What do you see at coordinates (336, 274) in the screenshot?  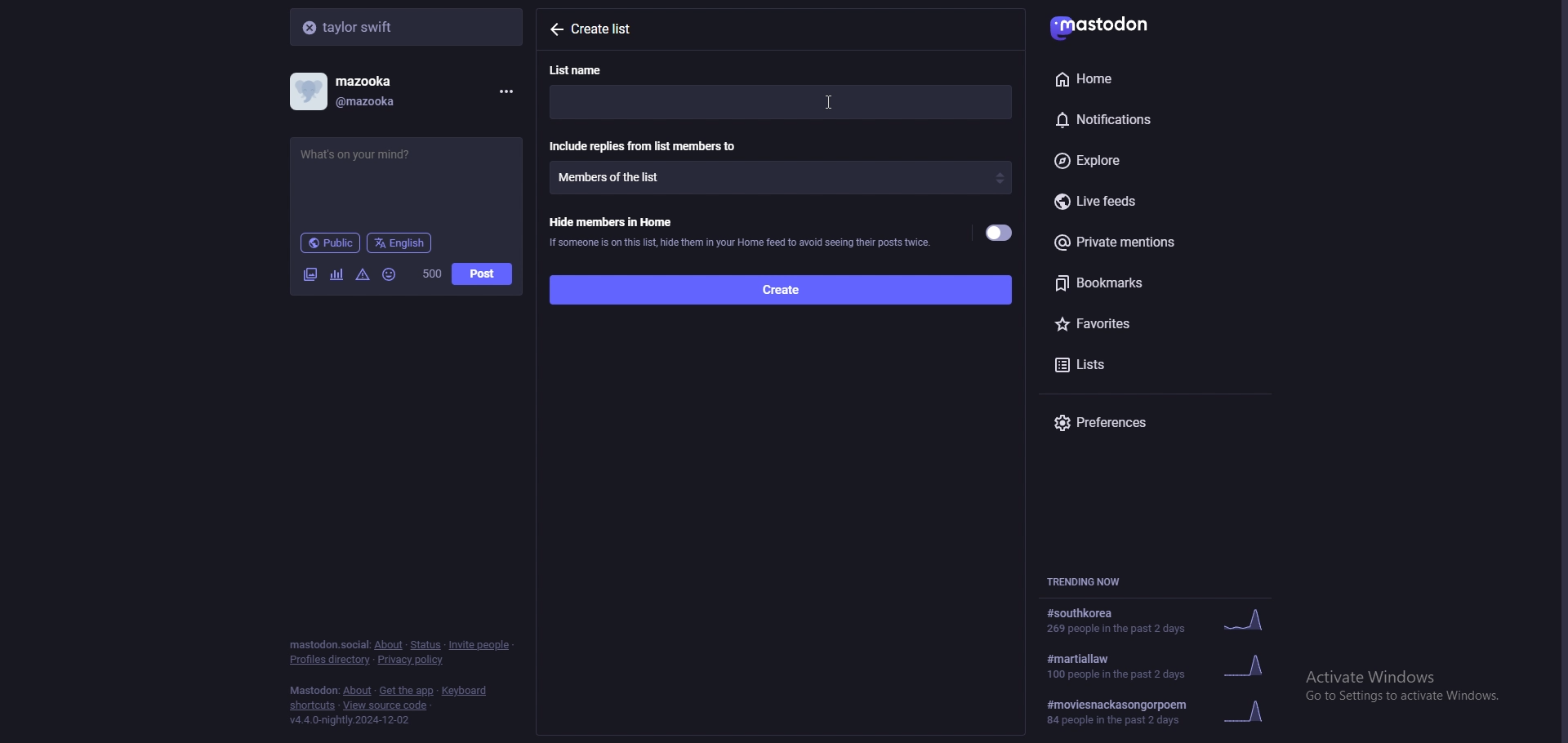 I see `poll` at bounding box center [336, 274].